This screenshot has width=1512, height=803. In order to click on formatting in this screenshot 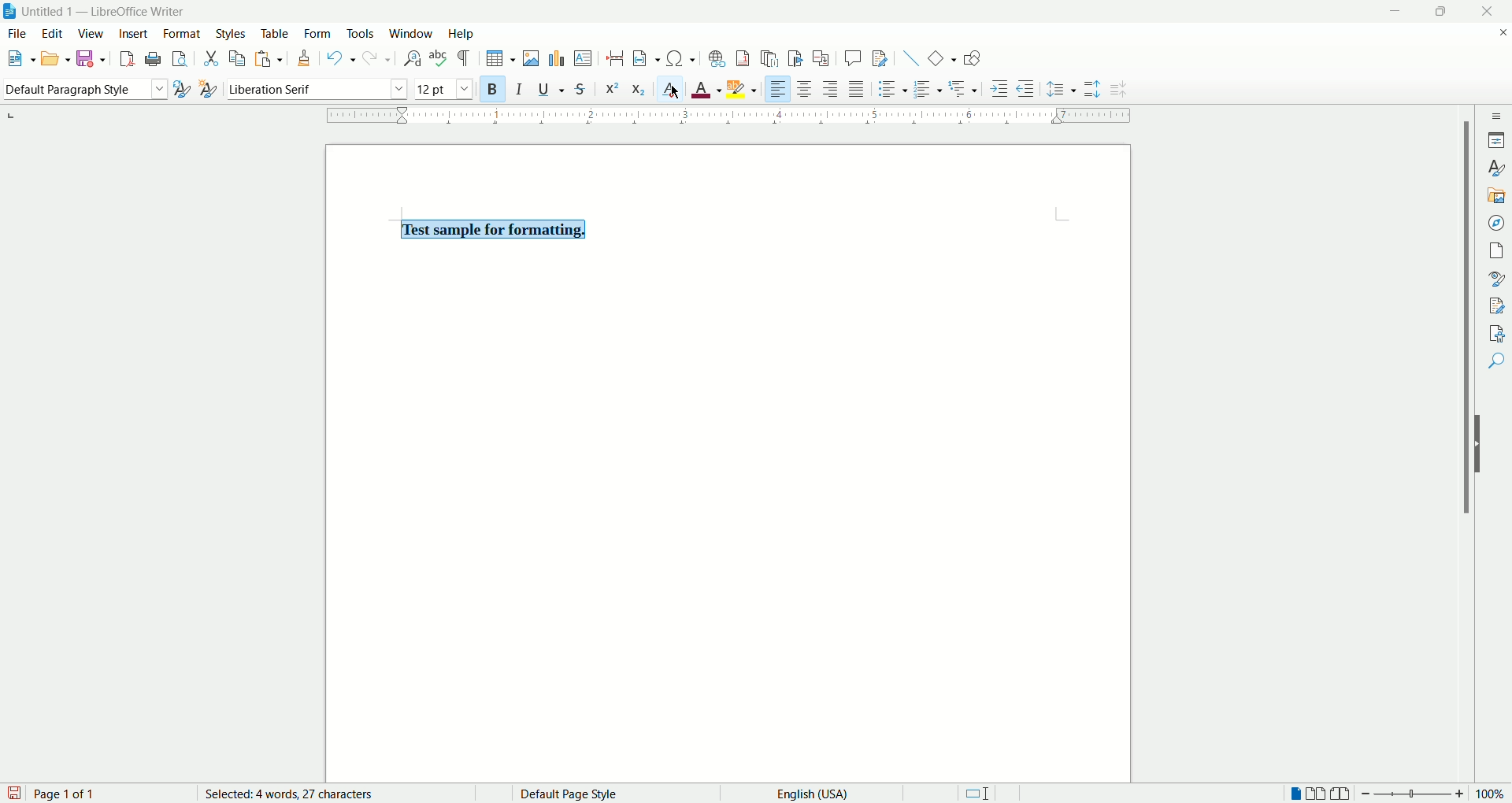, I will do `click(304, 58)`.